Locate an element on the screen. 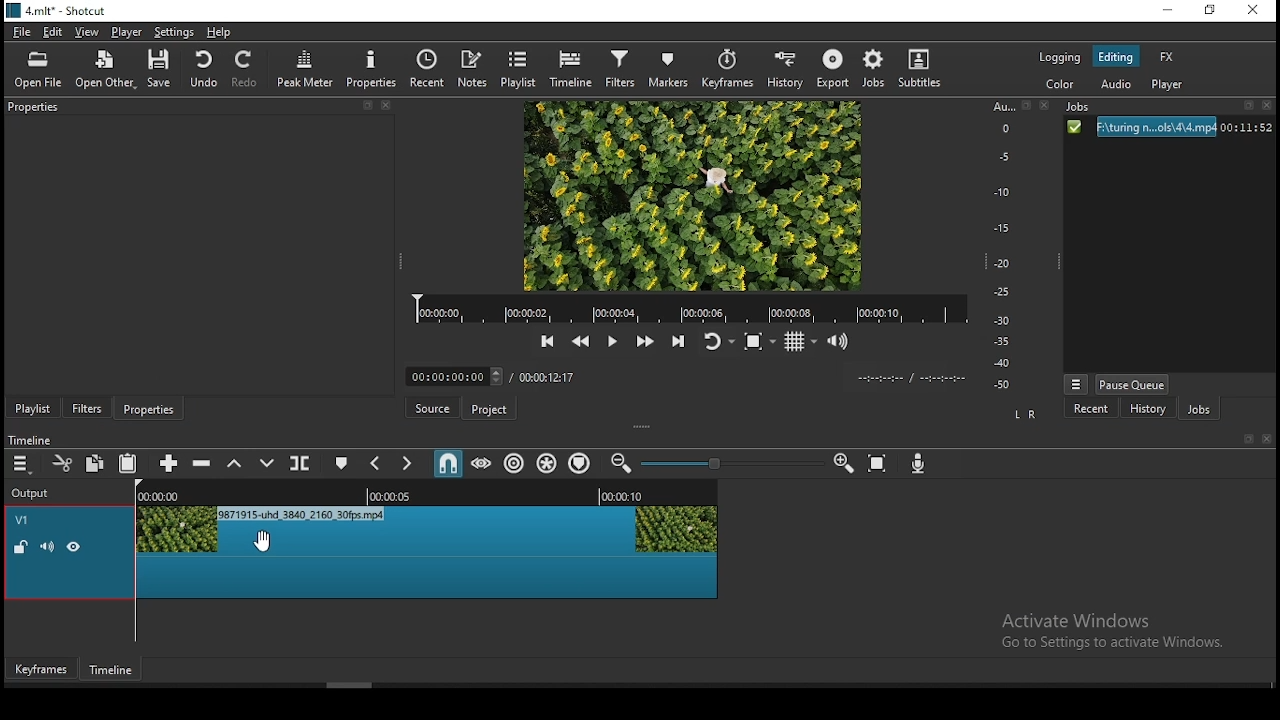 Image resolution: width=1280 pixels, height=720 pixels. color is located at coordinates (1062, 85).